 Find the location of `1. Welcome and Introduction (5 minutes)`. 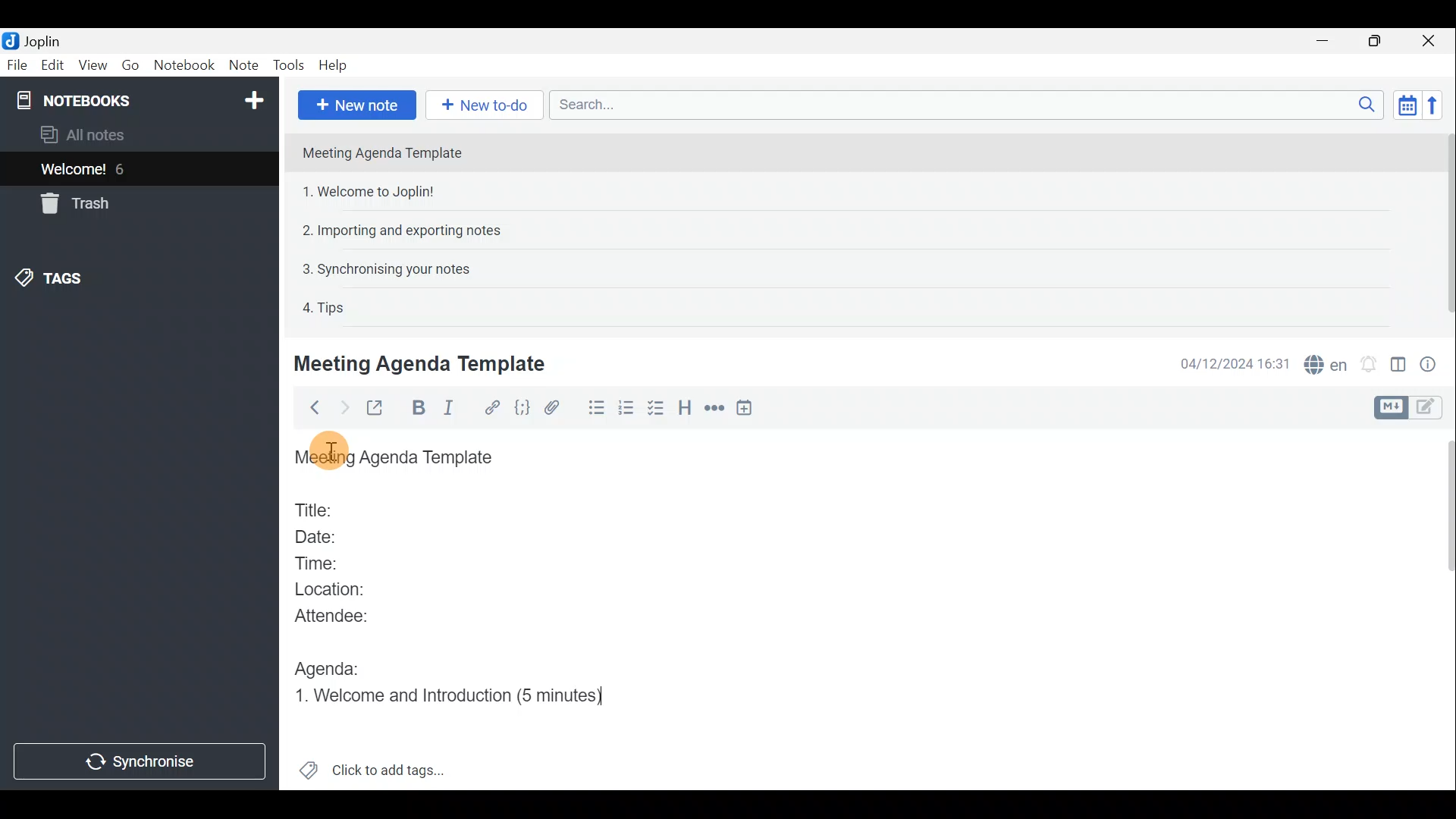

1. Welcome and Introduction (5 minutes) is located at coordinates (461, 694).